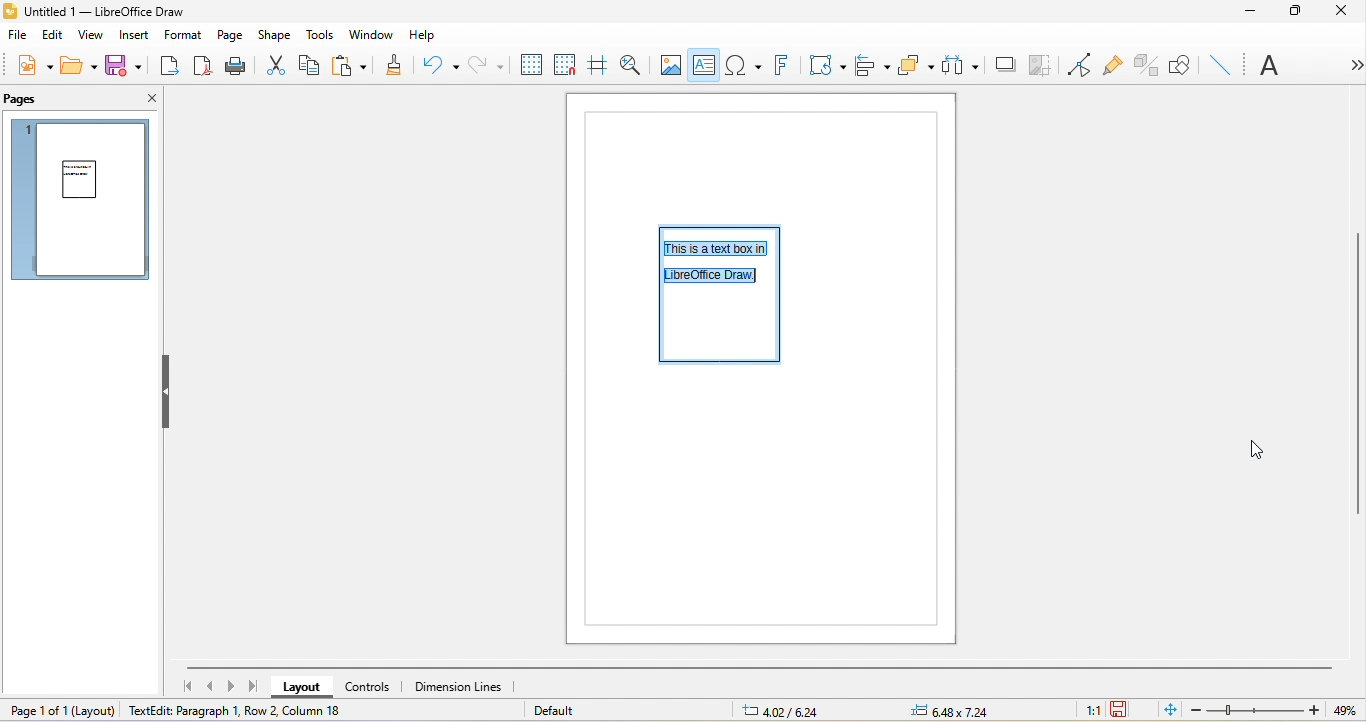 This screenshot has width=1366, height=722. I want to click on more option, so click(1347, 65).